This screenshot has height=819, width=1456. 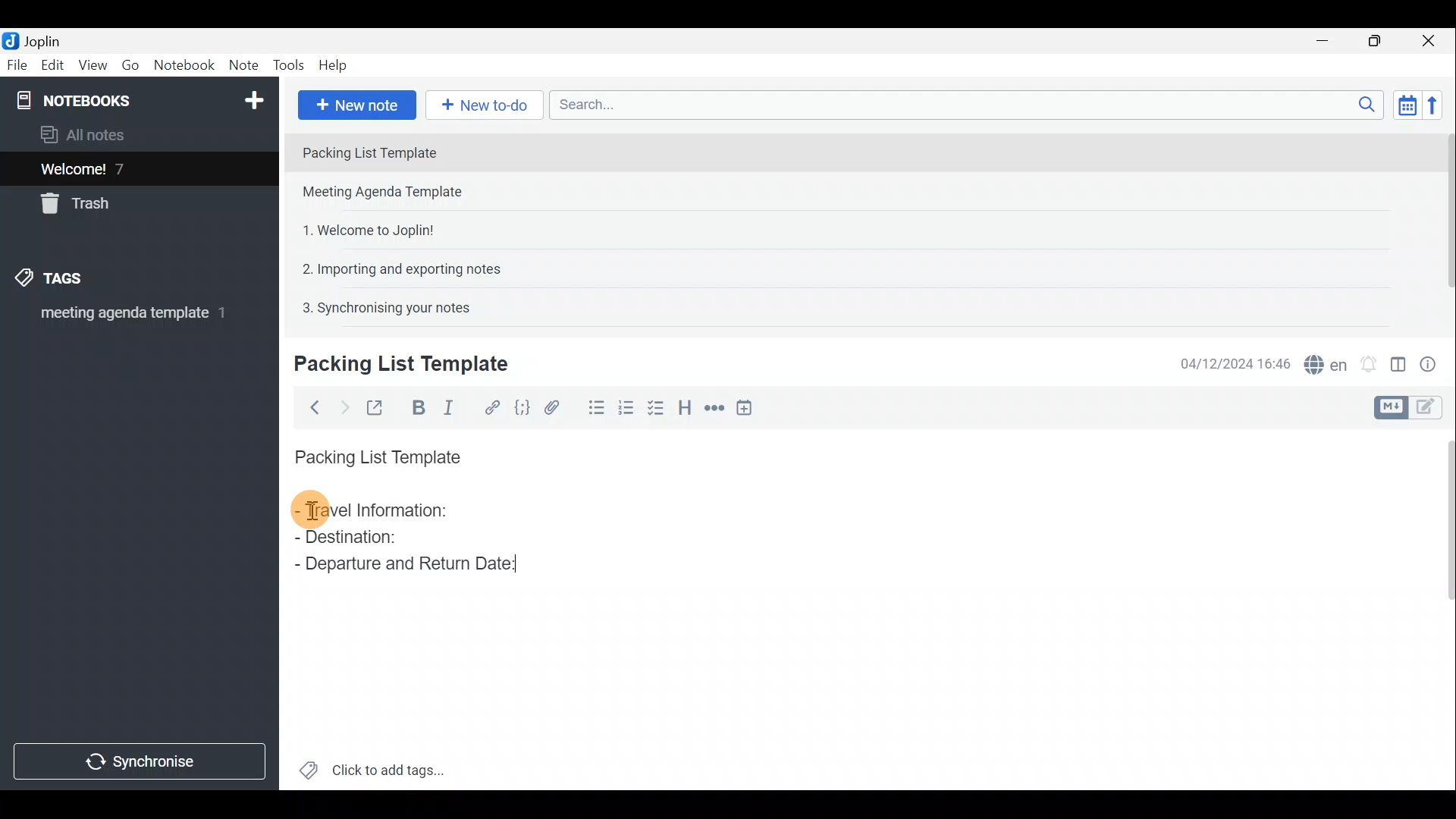 What do you see at coordinates (424, 151) in the screenshot?
I see `Note 1` at bounding box center [424, 151].